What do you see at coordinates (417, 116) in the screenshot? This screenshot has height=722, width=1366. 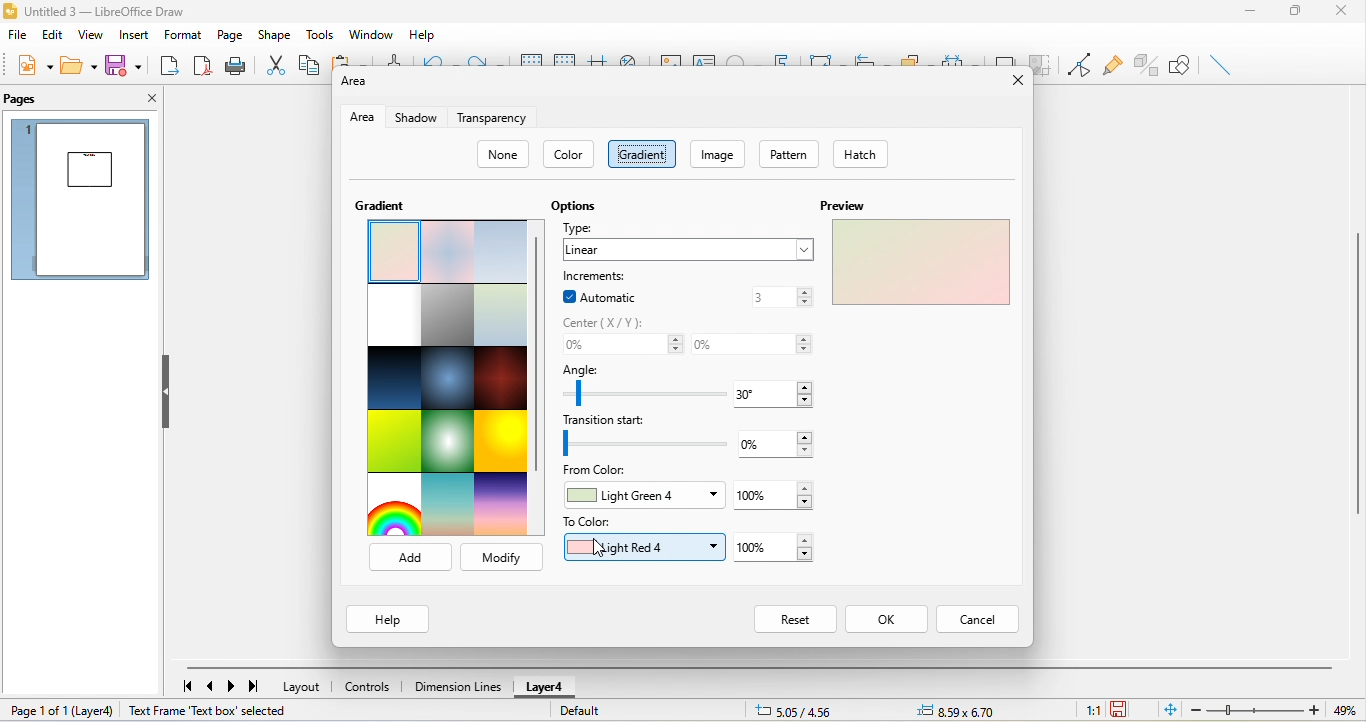 I see `shadow` at bounding box center [417, 116].